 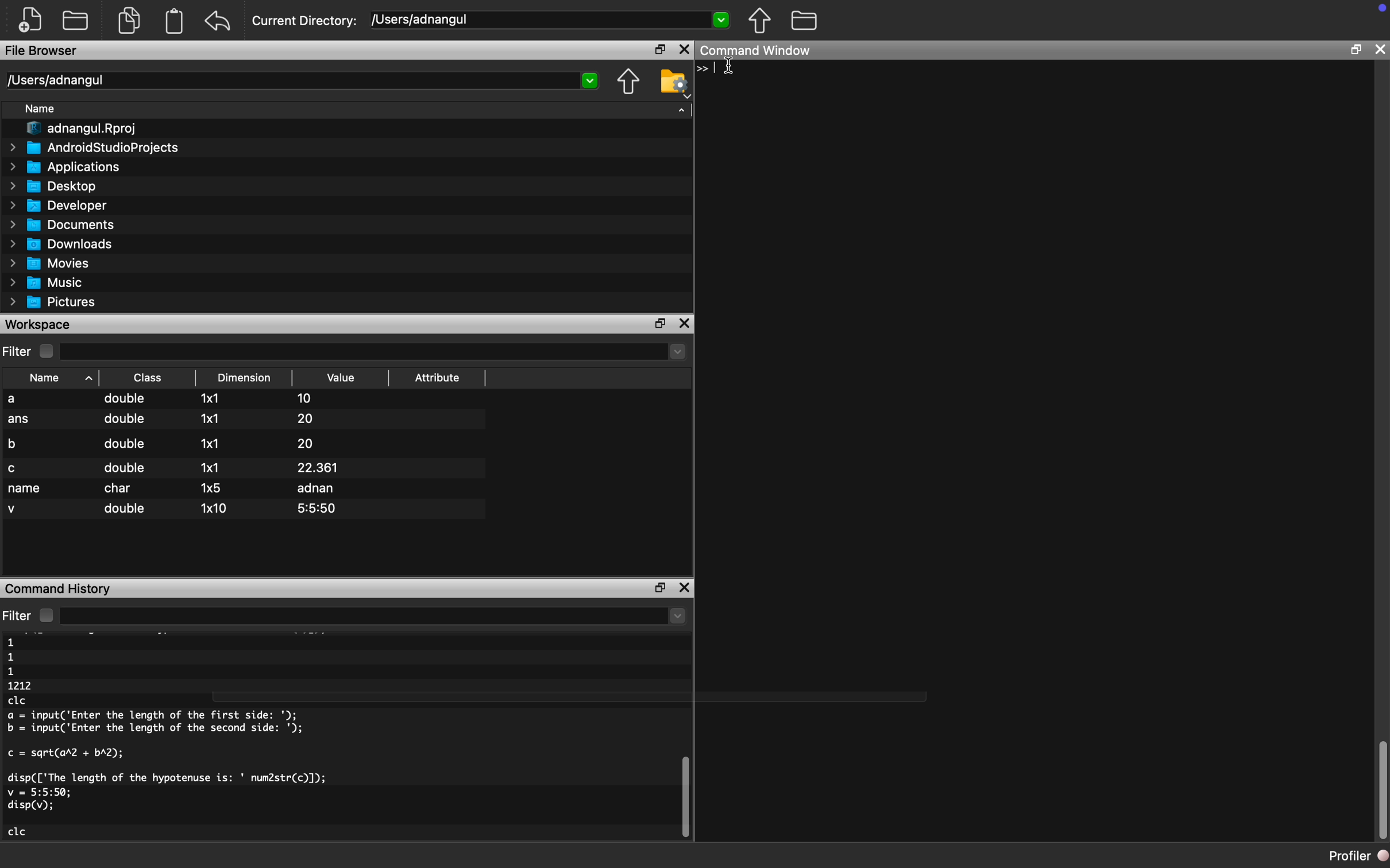 I want to click on Dropdown, so click(x=720, y=20).